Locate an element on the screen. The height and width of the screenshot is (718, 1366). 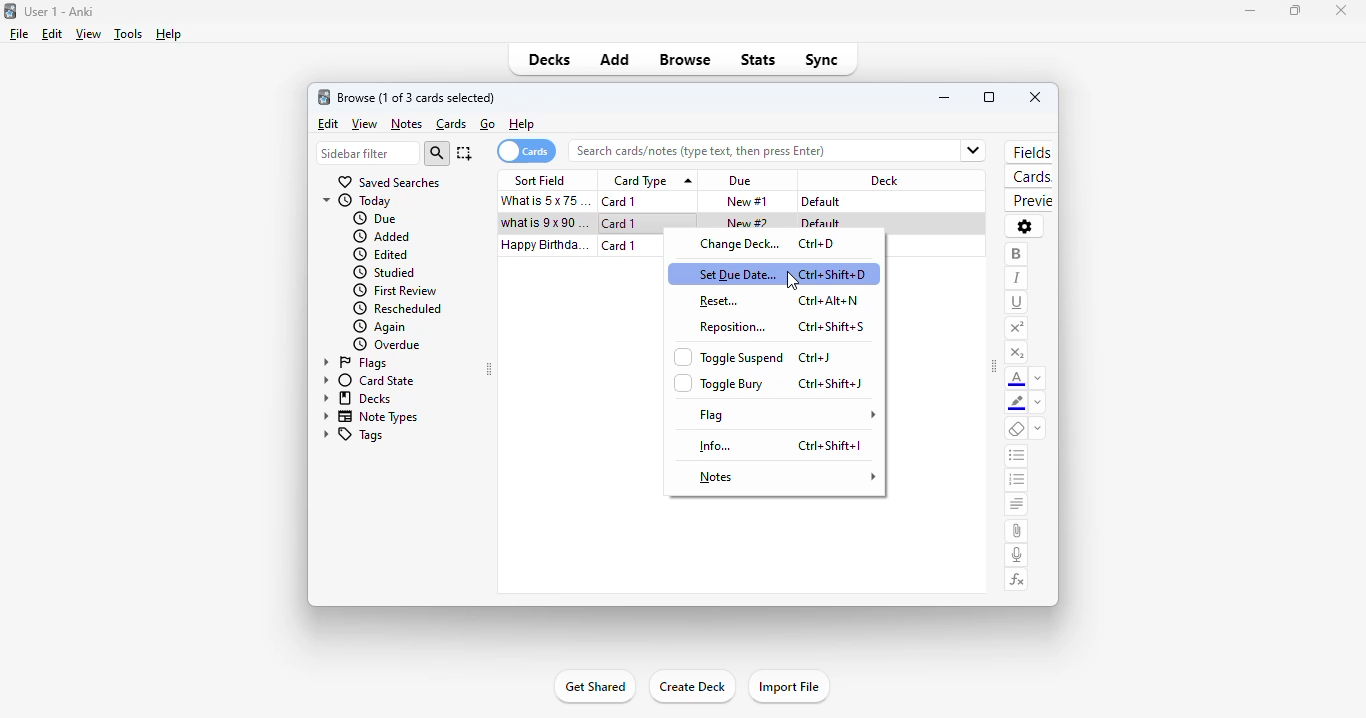
tools is located at coordinates (128, 34).